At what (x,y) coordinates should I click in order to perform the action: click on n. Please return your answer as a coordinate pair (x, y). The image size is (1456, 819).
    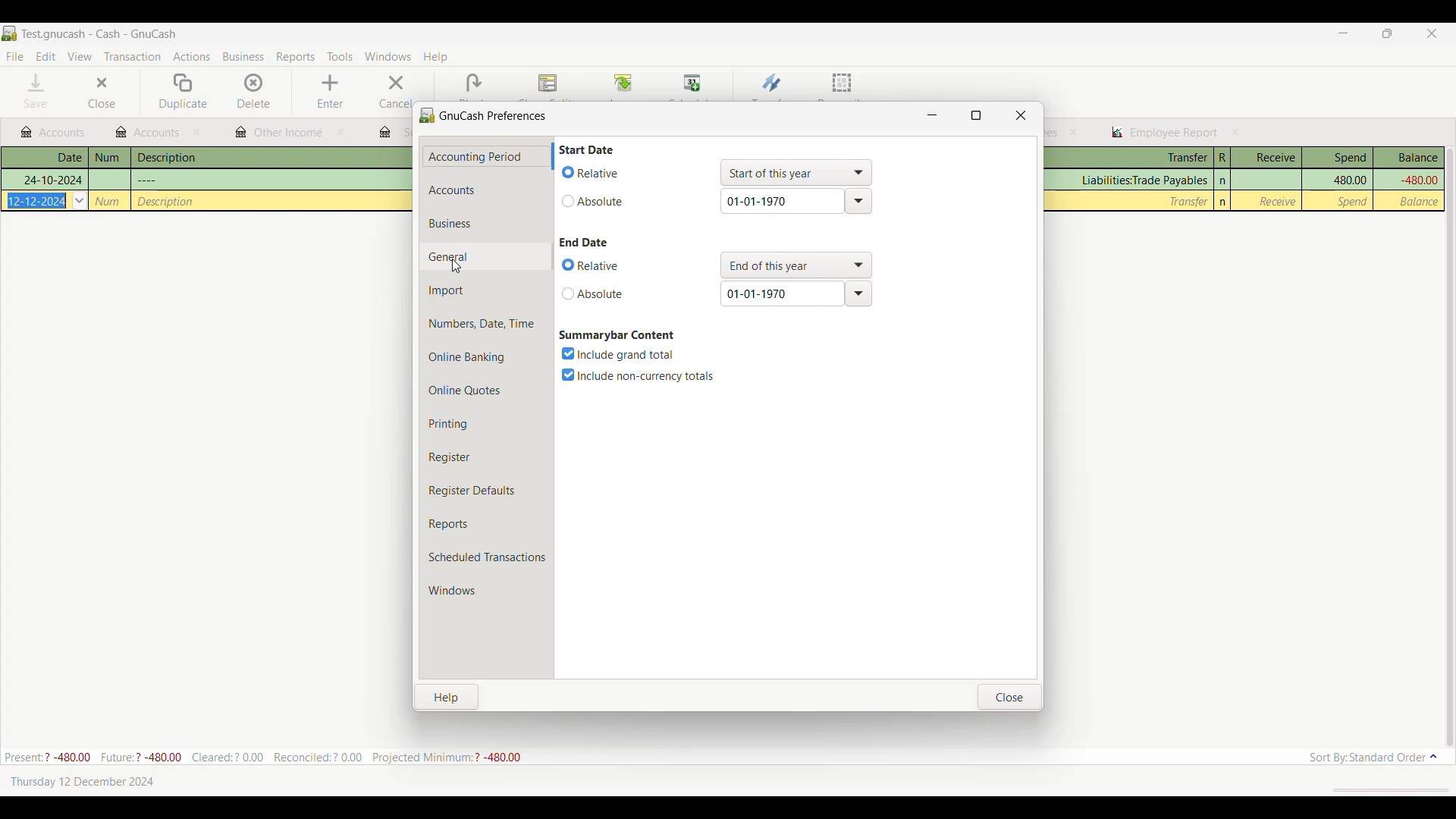
    Looking at the image, I should click on (1224, 180).